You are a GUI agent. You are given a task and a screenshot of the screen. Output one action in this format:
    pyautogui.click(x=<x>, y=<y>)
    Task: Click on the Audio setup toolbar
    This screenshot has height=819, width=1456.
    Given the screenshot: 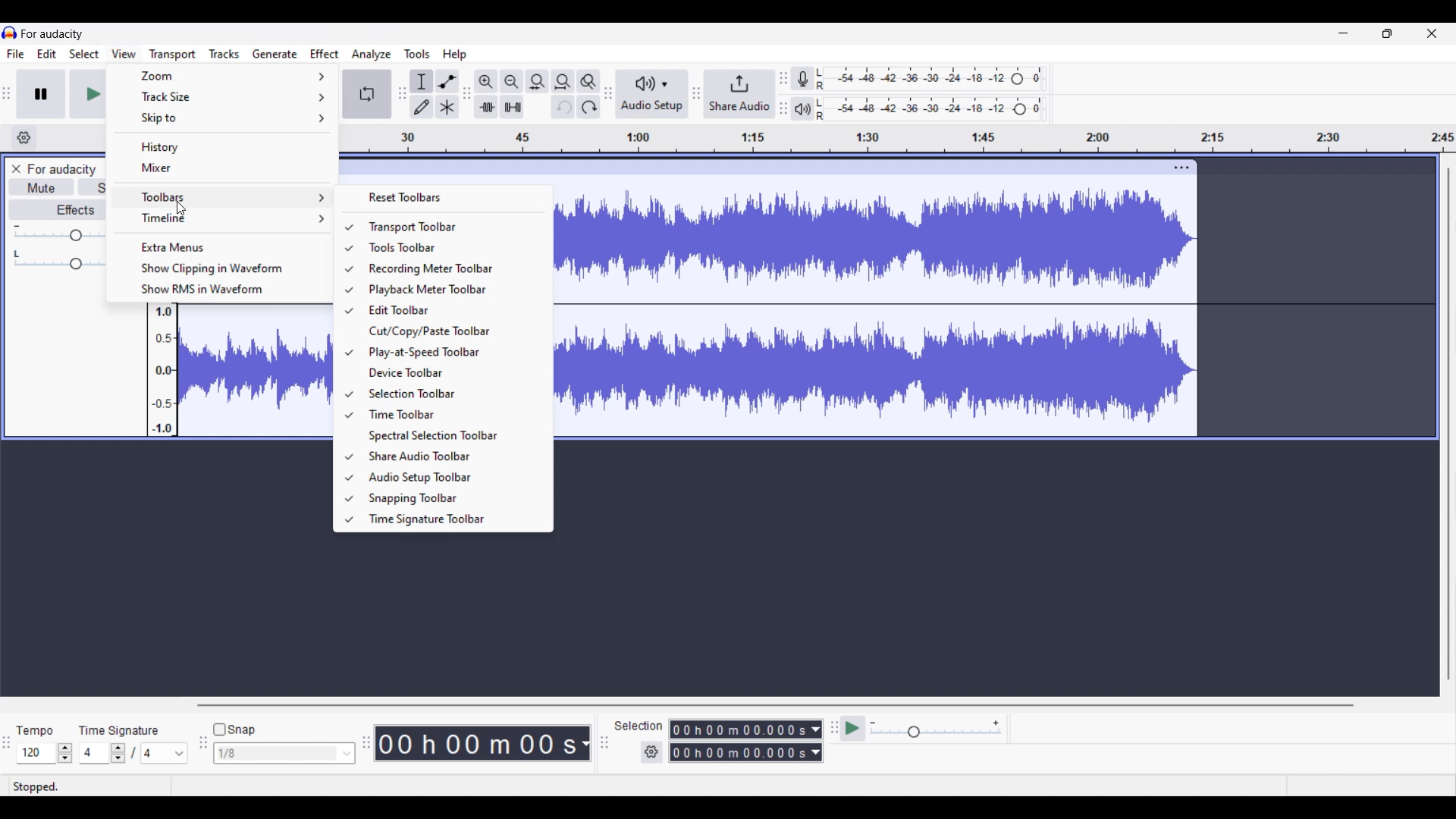 What is the action you would take?
    pyautogui.click(x=452, y=477)
    